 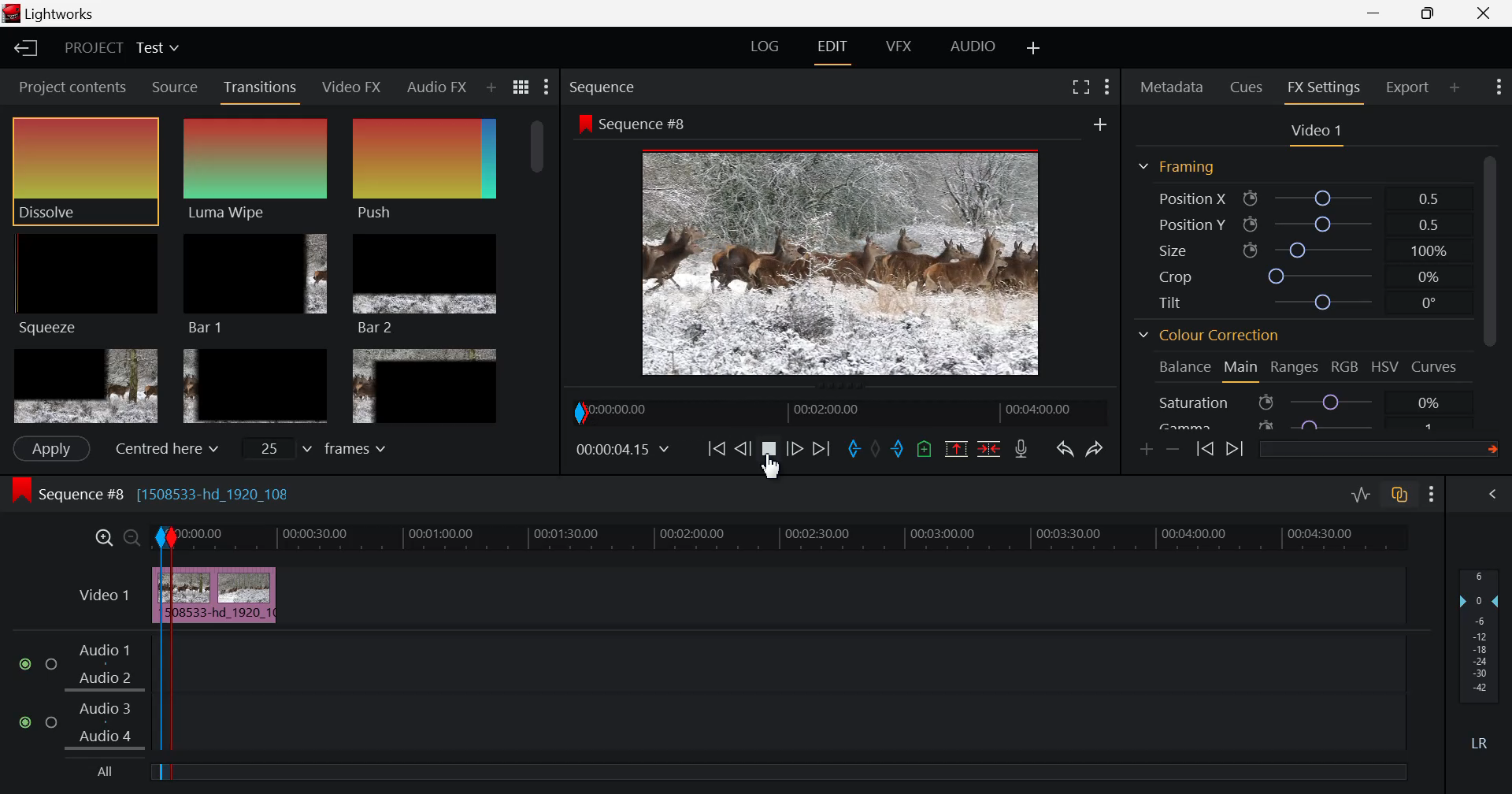 I want to click on Go Forward, so click(x=795, y=450).